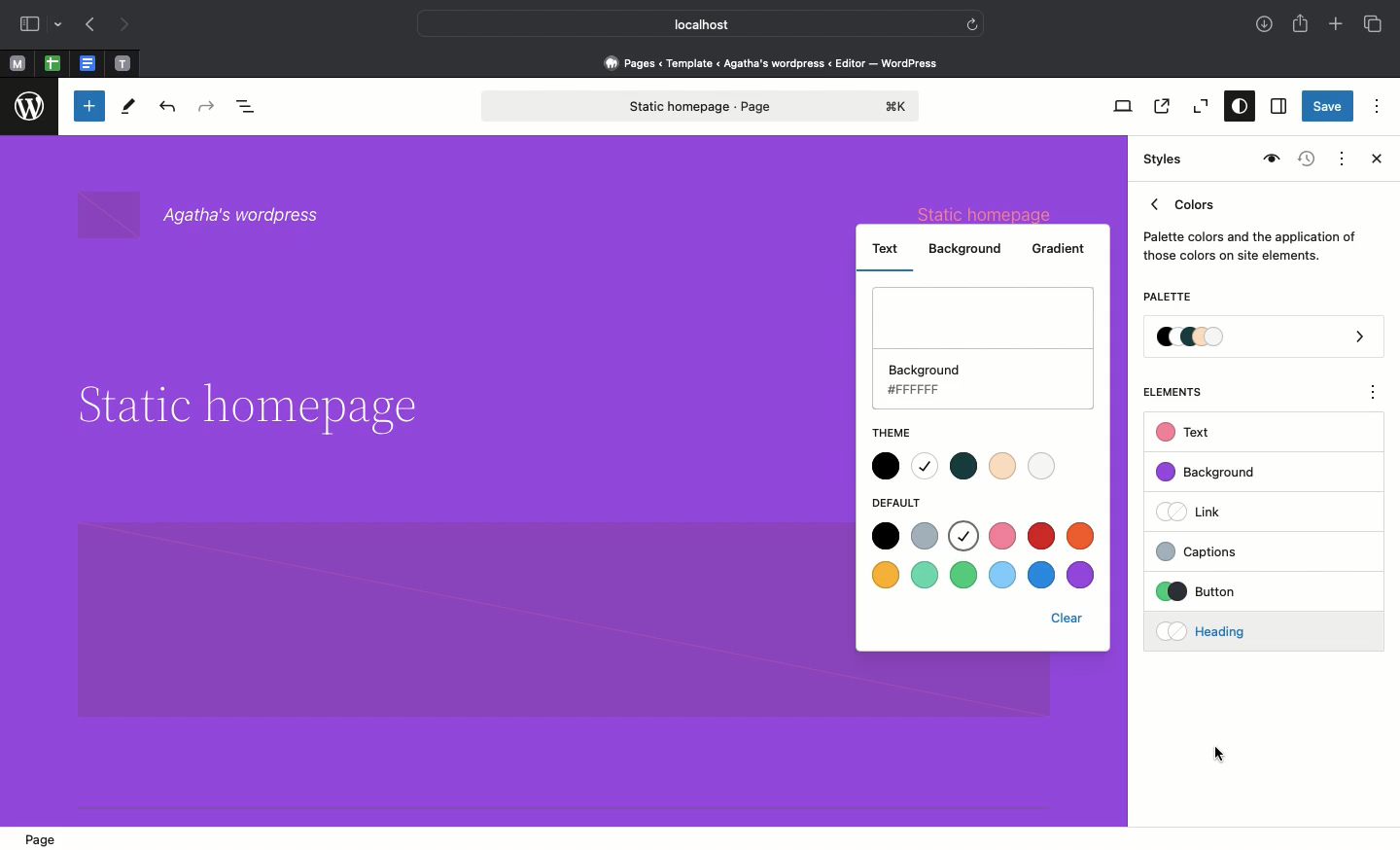 The image size is (1400, 850). I want to click on Add new tab, so click(1338, 26).